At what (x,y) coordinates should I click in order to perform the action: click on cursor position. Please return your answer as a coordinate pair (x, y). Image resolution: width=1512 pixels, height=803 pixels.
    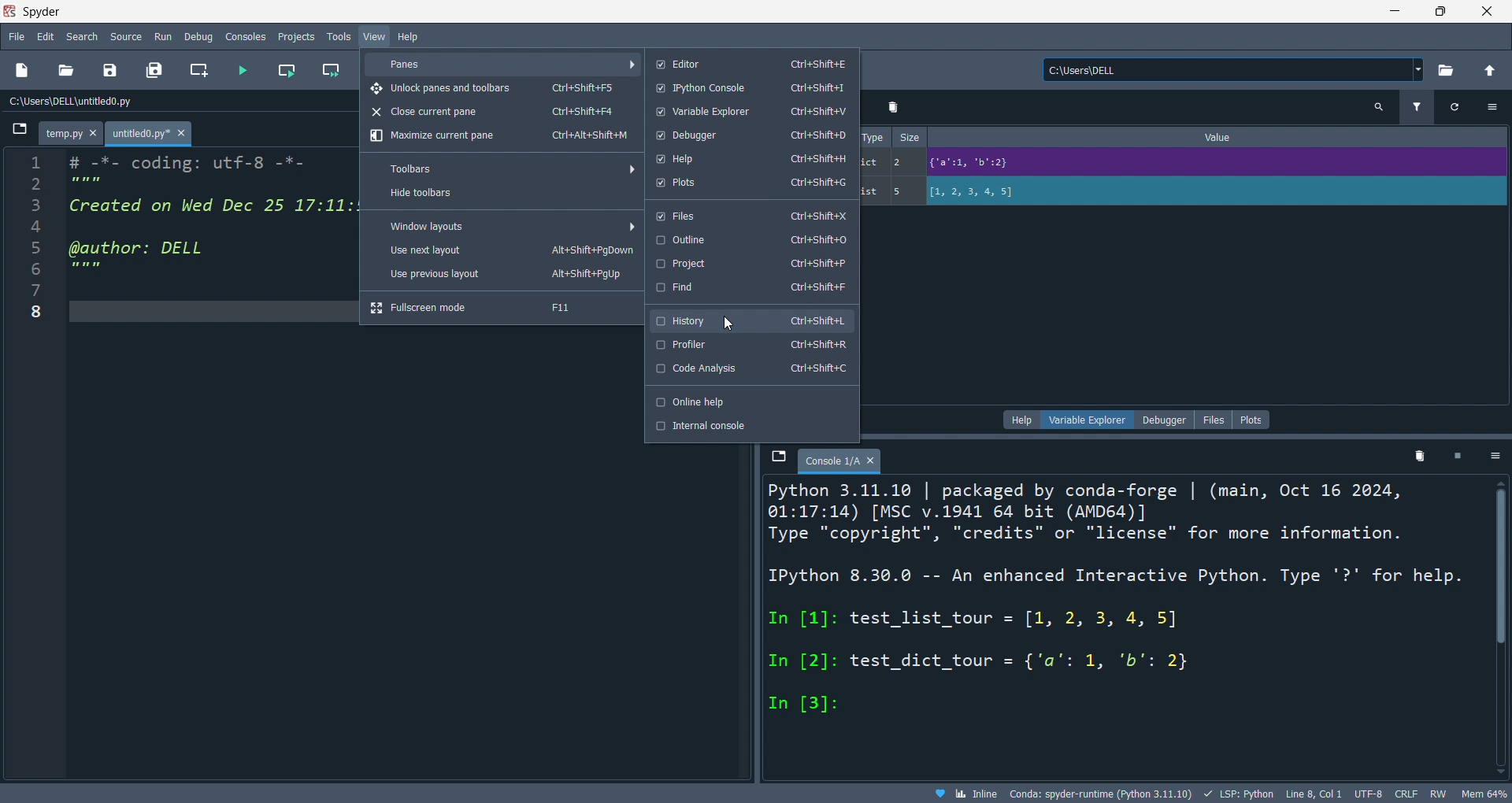
    Looking at the image, I should click on (1313, 794).